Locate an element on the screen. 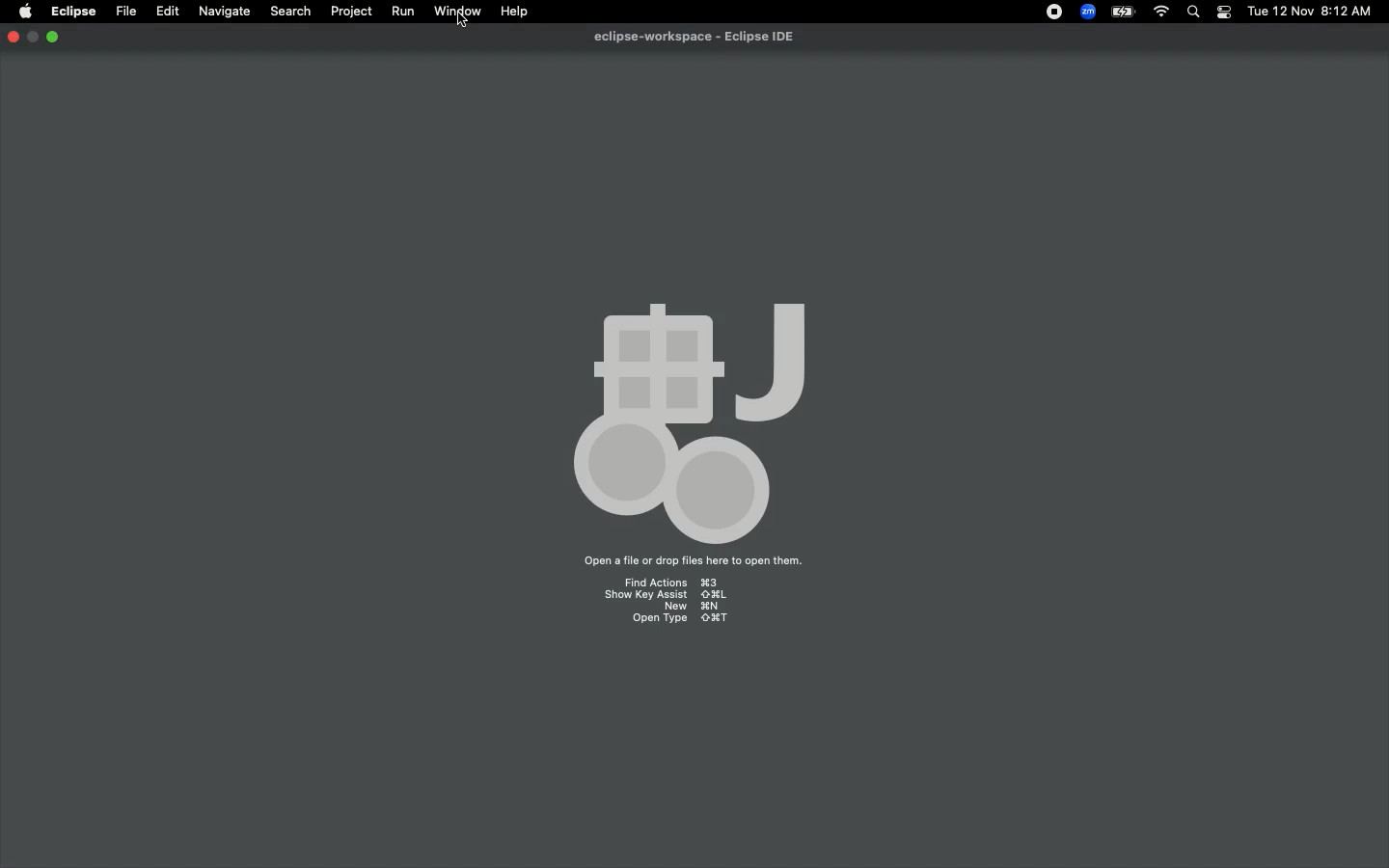  Edit is located at coordinates (165, 10).